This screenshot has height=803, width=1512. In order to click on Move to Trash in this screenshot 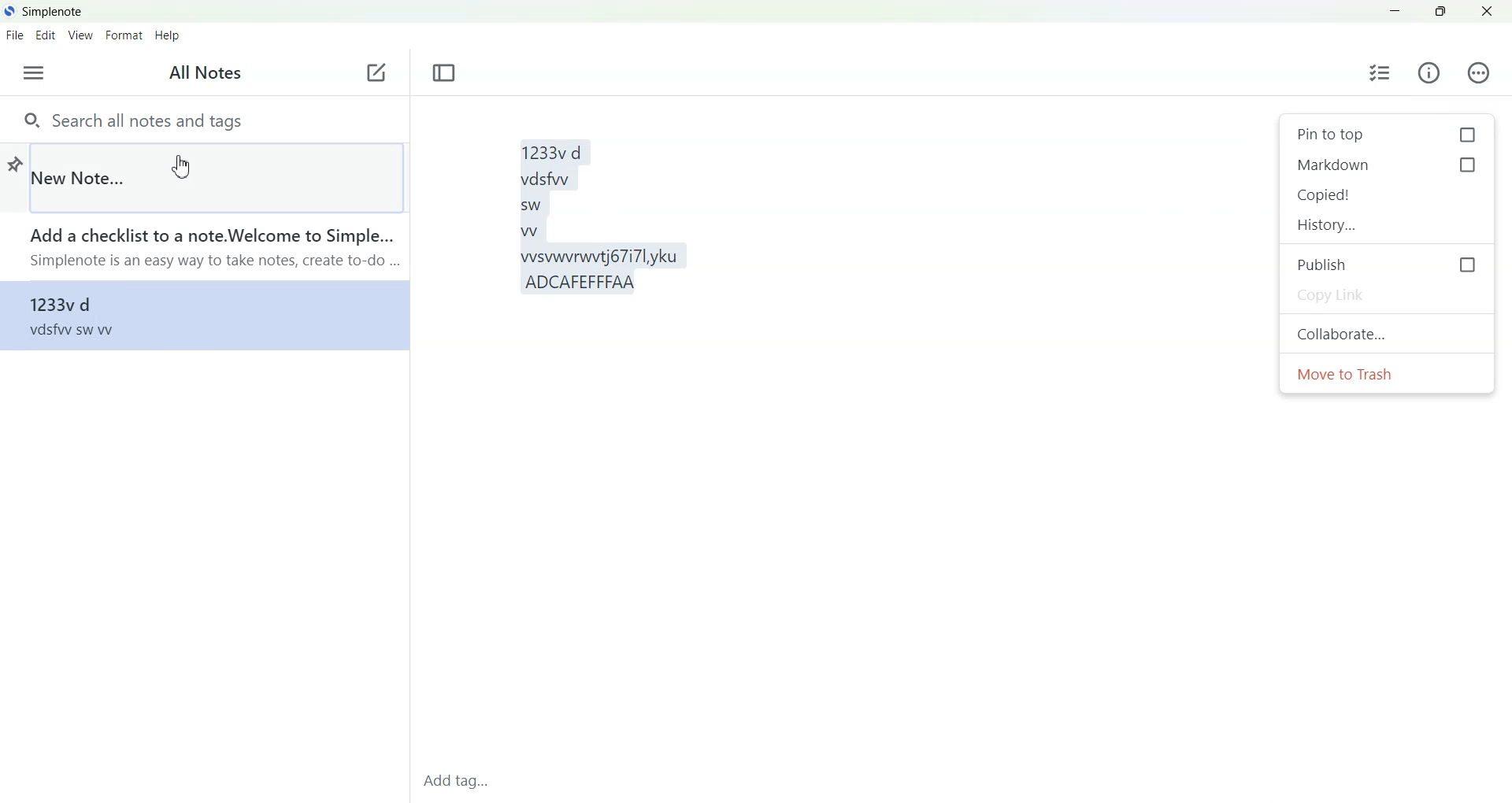, I will do `click(1388, 374)`.